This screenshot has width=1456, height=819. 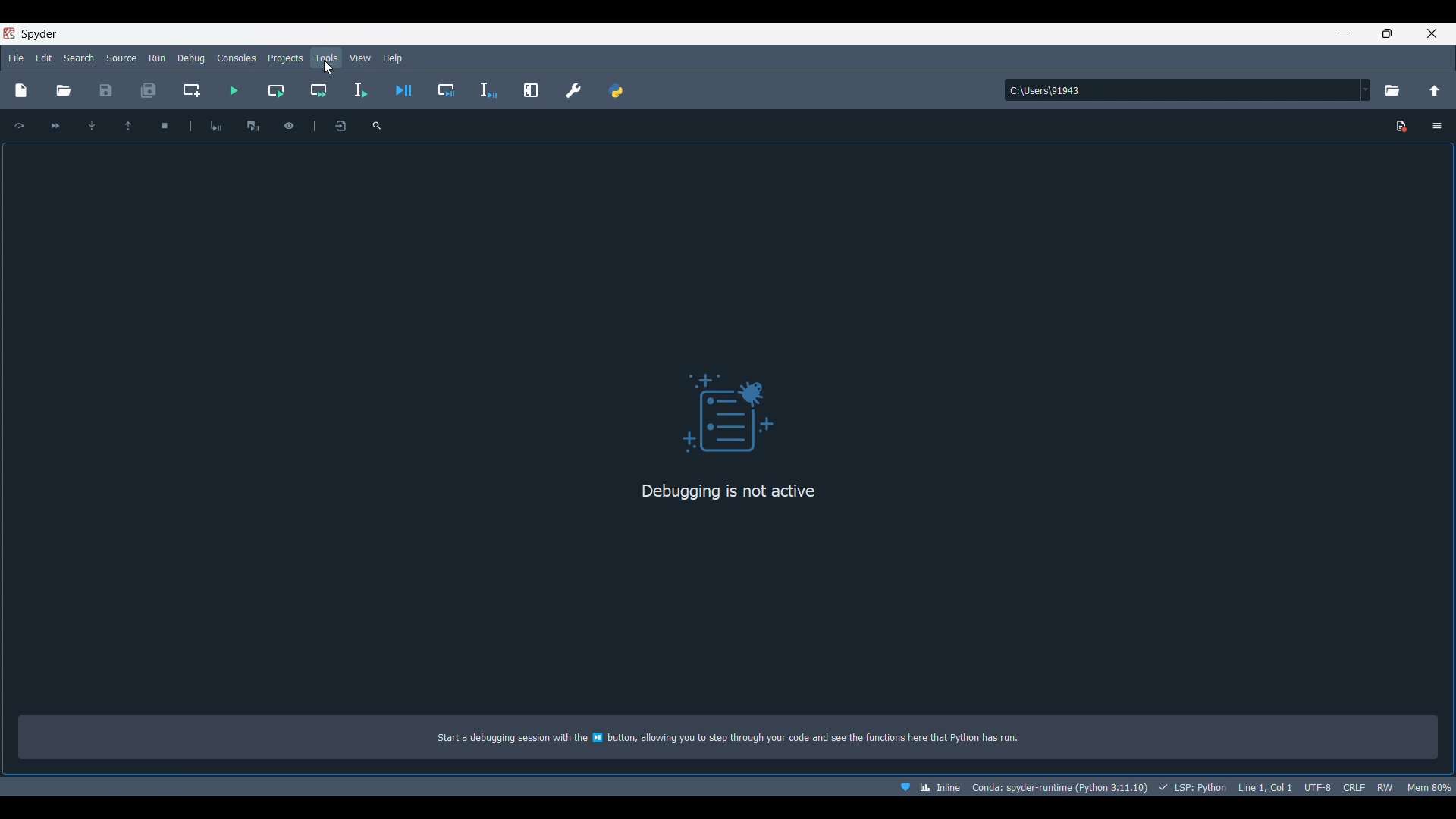 I want to click on File menu, so click(x=17, y=57).